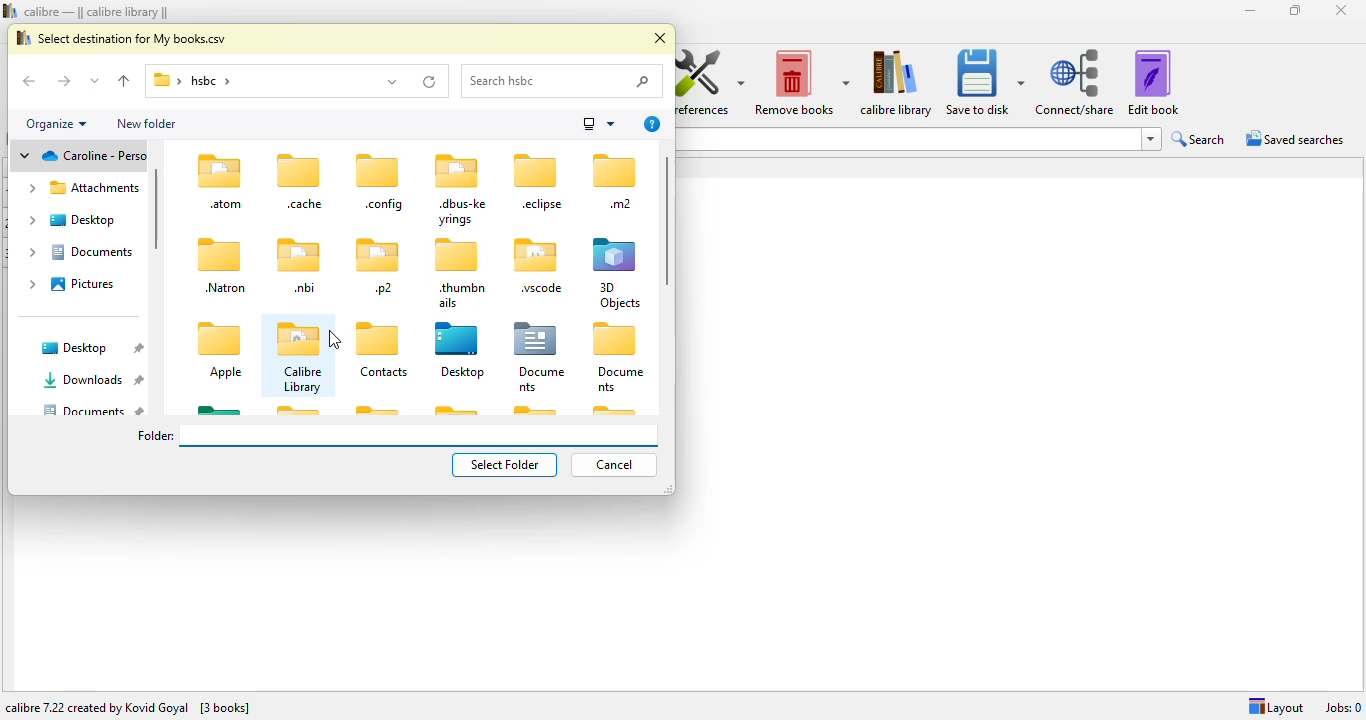 This screenshot has height=720, width=1366. I want to click on preferences, so click(710, 81).